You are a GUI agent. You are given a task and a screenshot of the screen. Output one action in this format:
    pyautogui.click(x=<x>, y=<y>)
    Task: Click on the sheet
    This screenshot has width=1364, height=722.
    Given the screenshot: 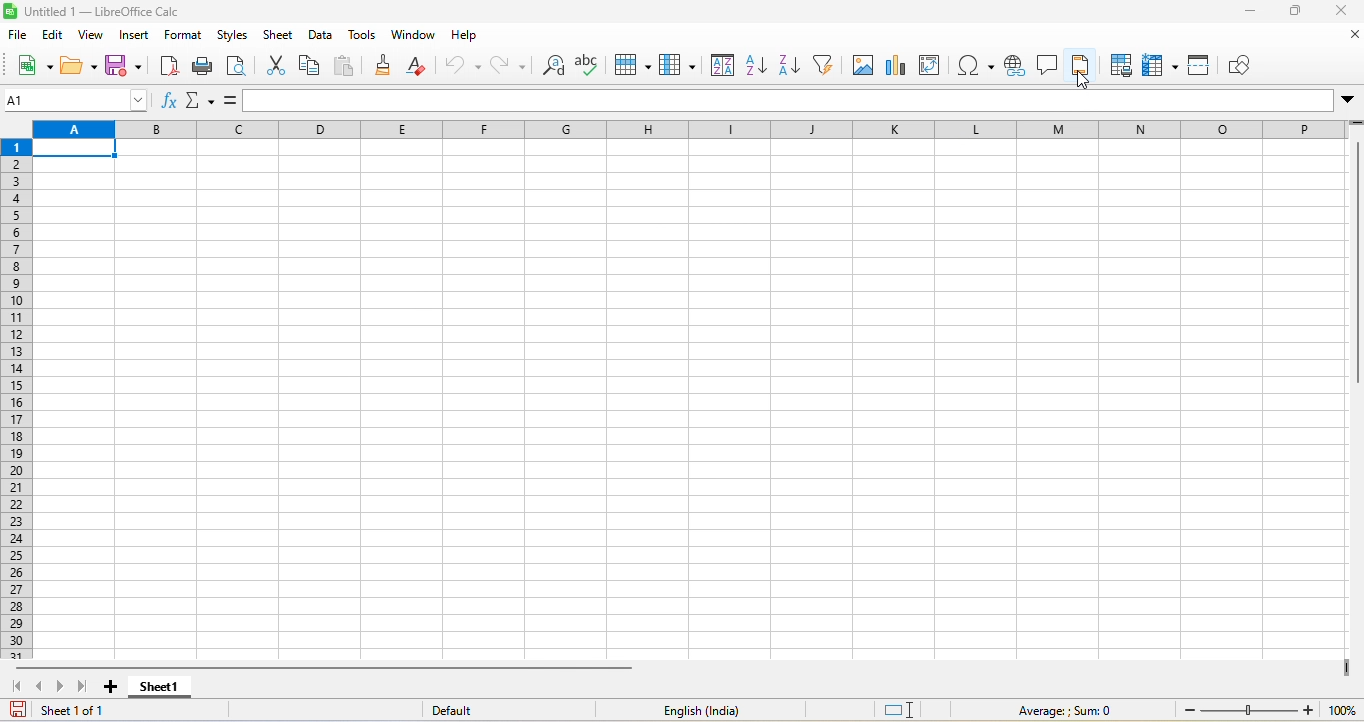 What is the action you would take?
    pyautogui.click(x=279, y=37)
    